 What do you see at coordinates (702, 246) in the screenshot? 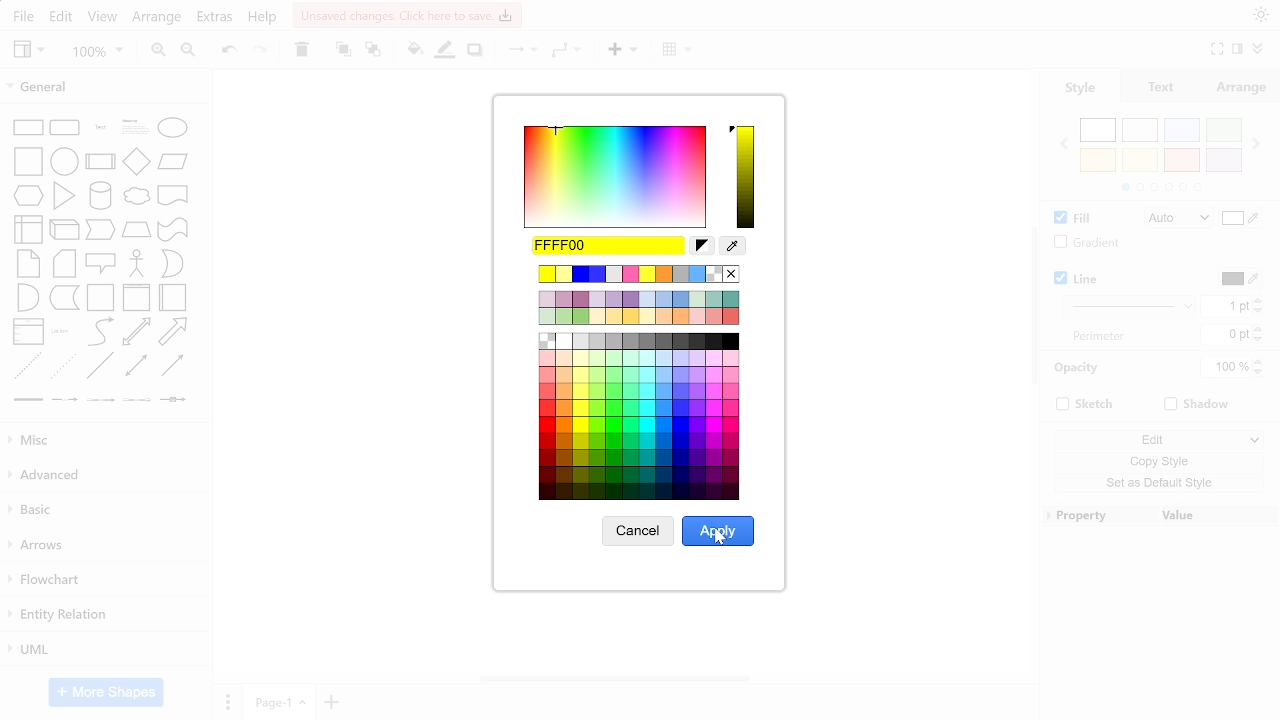
I see `reset` at bounding box center [702, 246].